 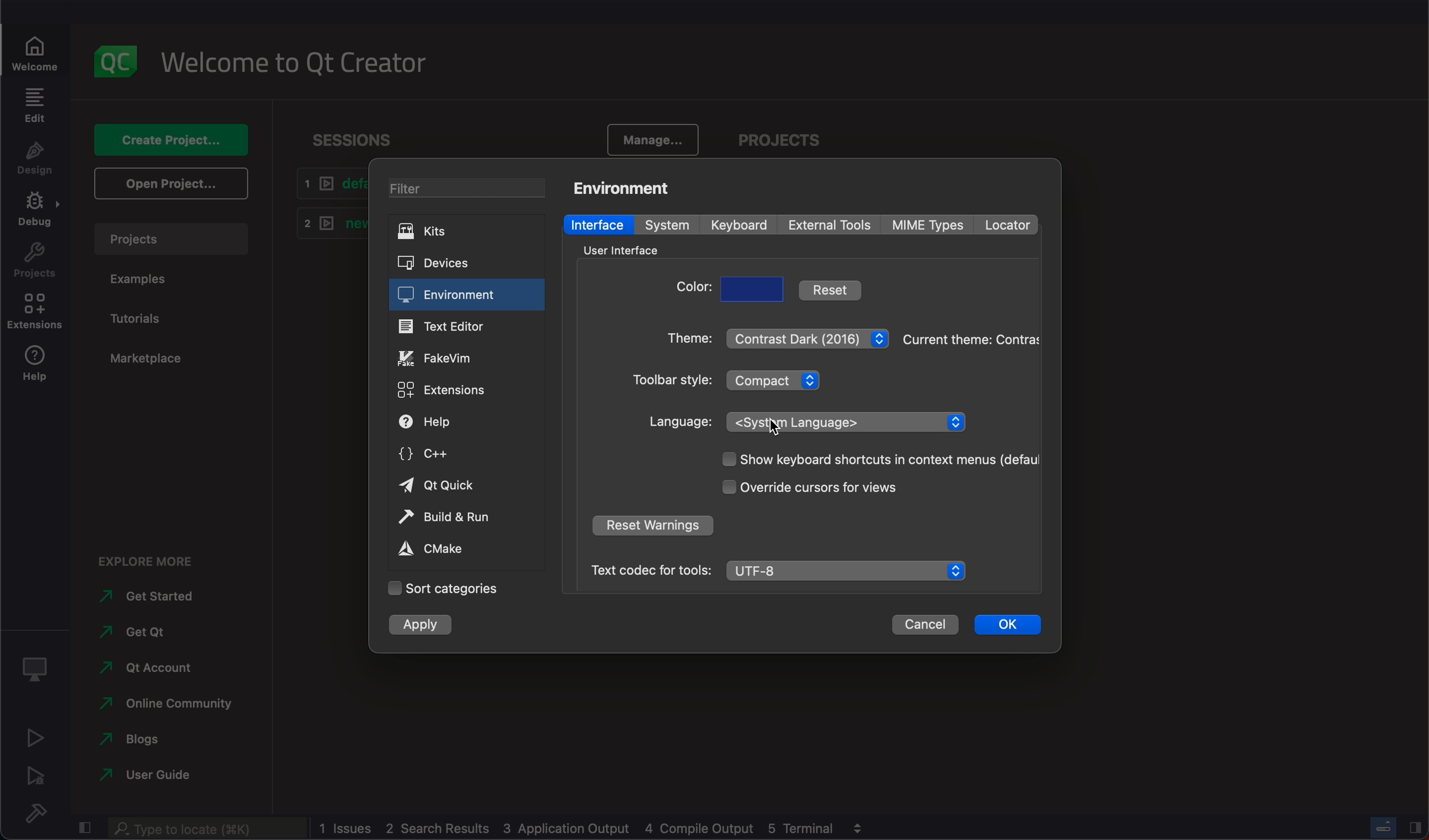 I want to click on extensions, so click(x=467, y=389).